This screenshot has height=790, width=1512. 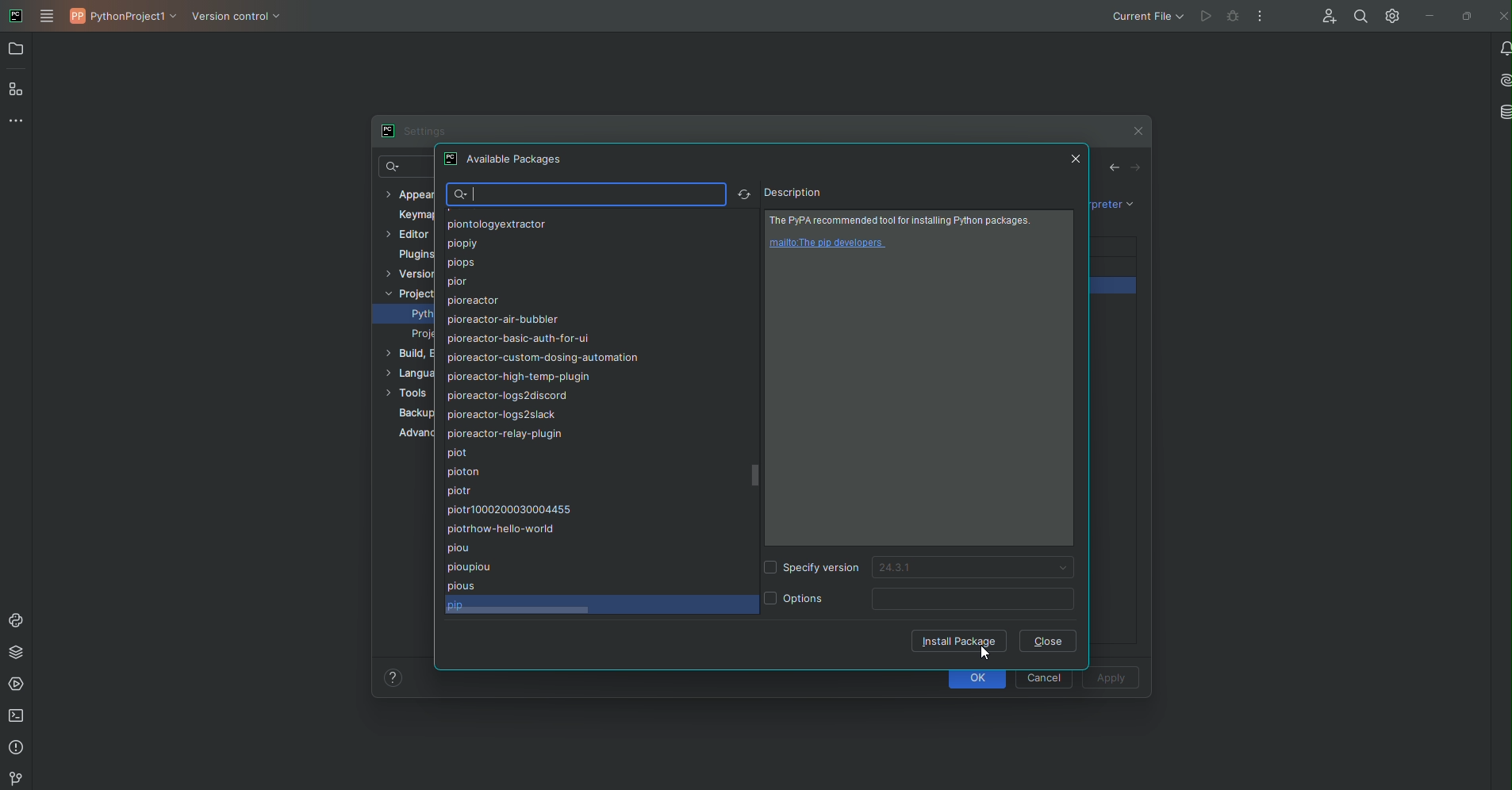 I want to click on Options bar, so click(x=974, y=599).